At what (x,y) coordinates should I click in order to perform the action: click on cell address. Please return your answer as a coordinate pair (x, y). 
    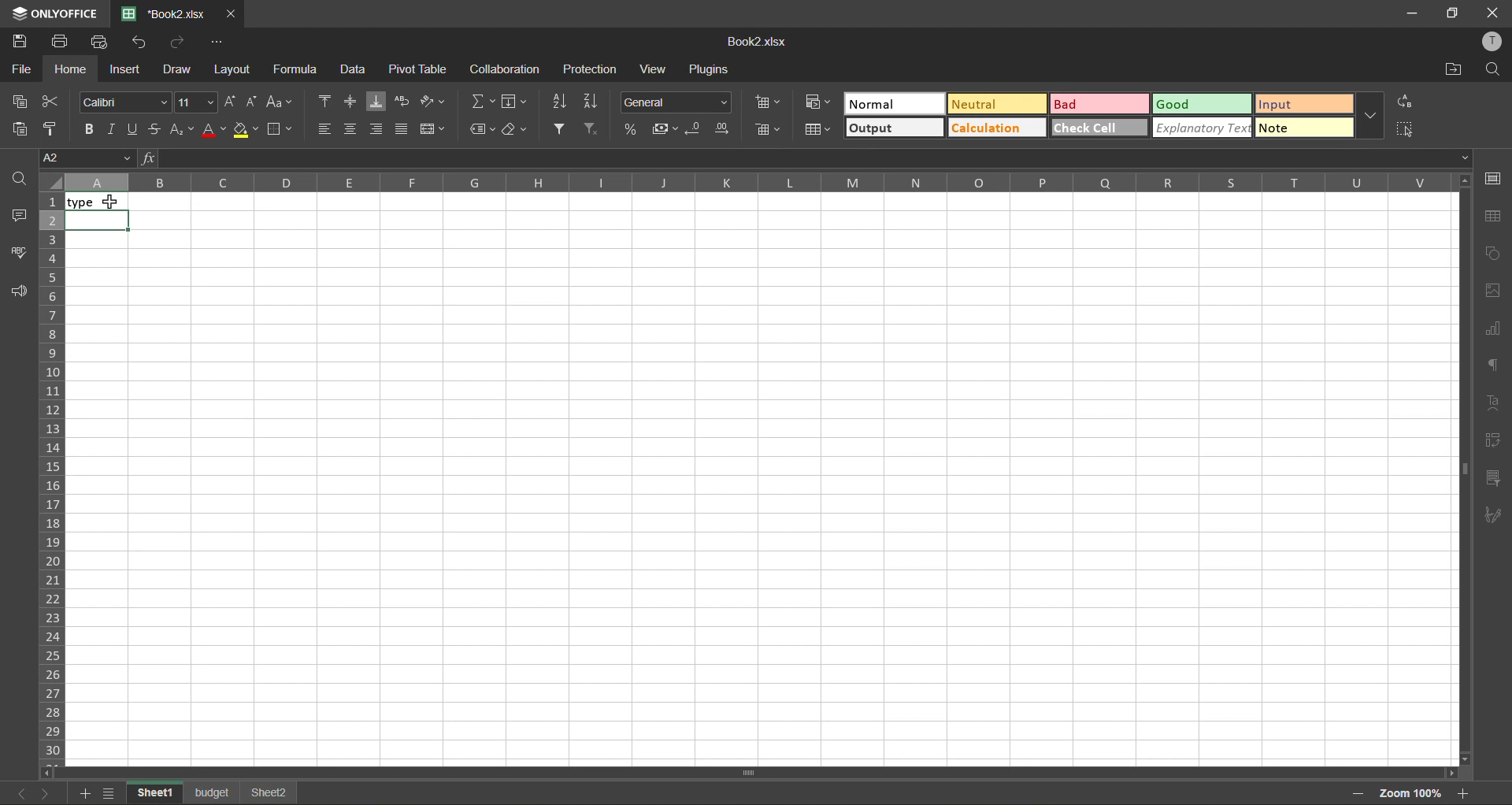
    Looking at the image, I should click on (79, 158).